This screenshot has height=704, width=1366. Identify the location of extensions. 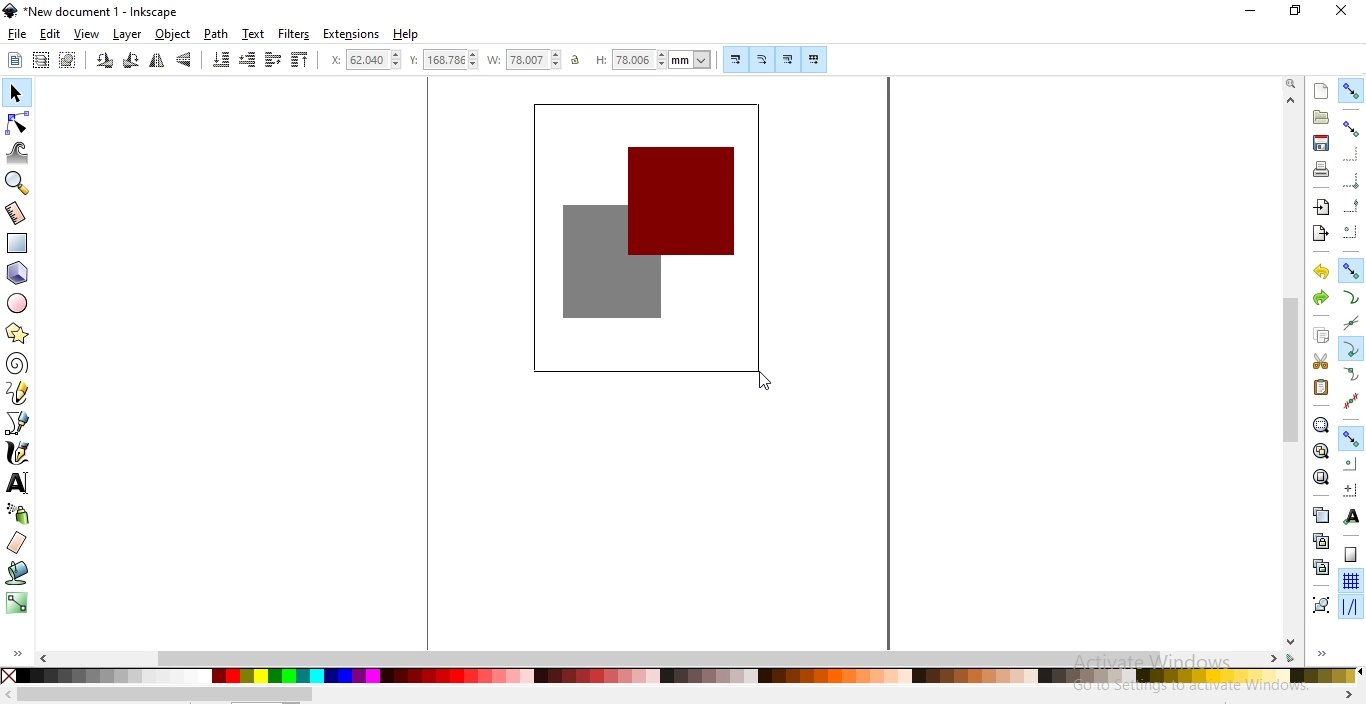
(353, 34).